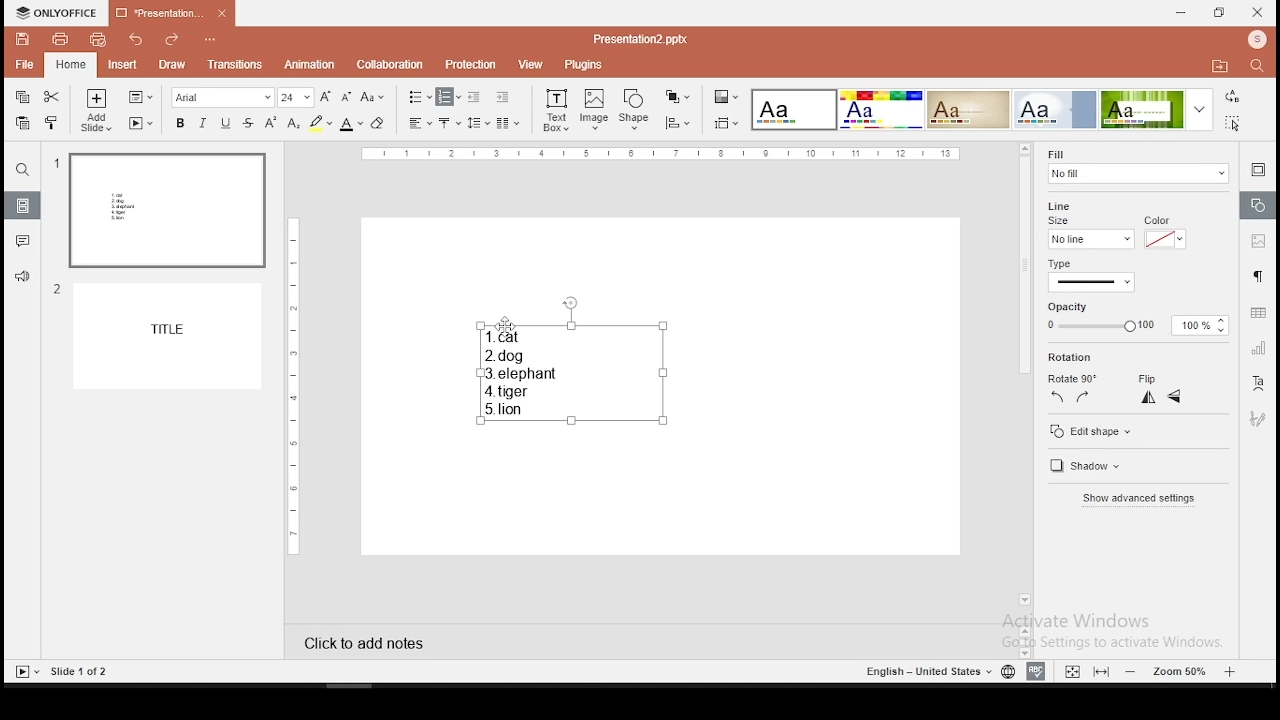  What do you see at coordinates (1150, 375) in the screenshot?
I see `flip` at bounding box center [1150, 375].